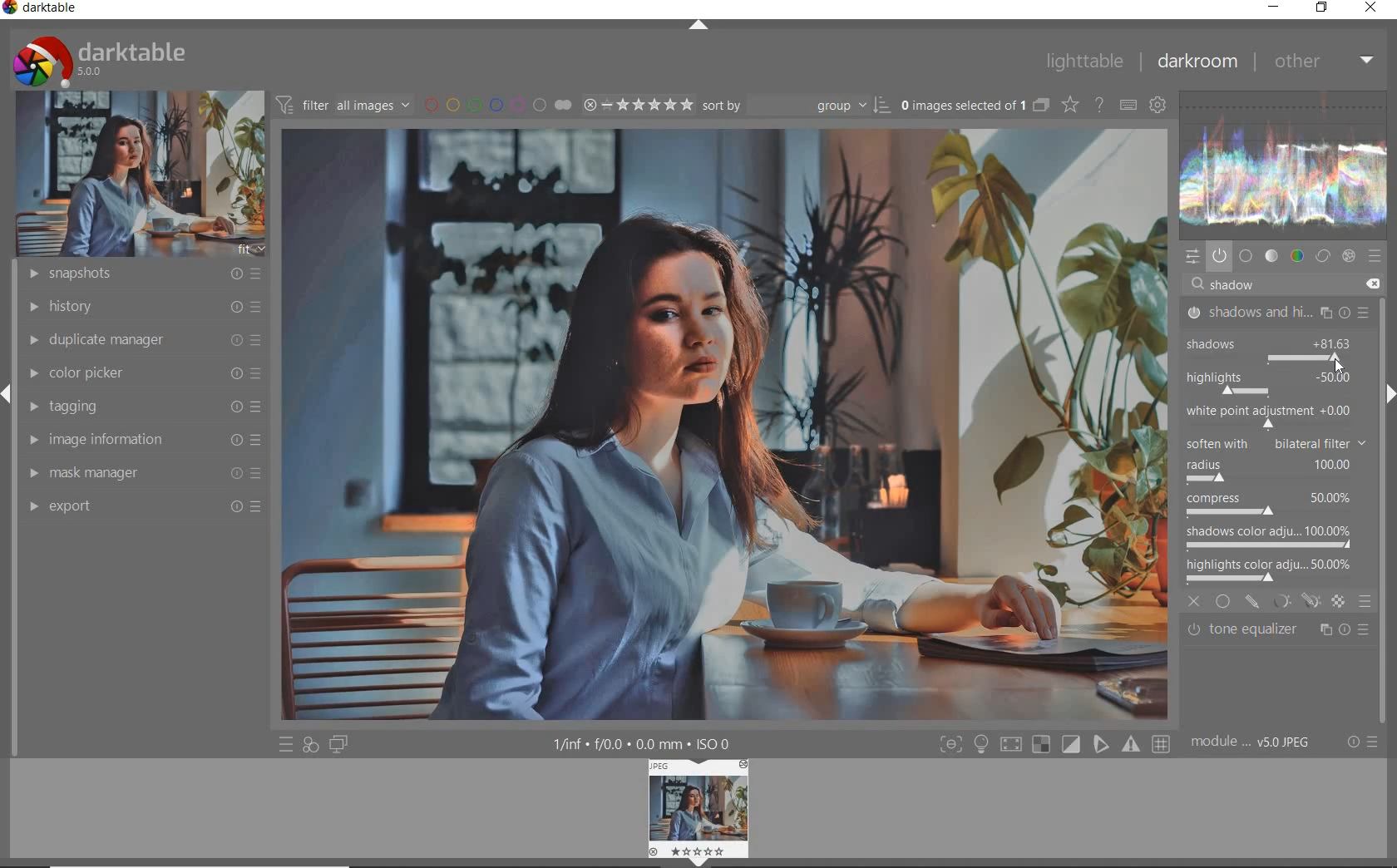 This screenshot has width=1397, height=868. Describe the element at coordinates (1039, 106) in the screenshot. I see `collapse grouped images` at that location.